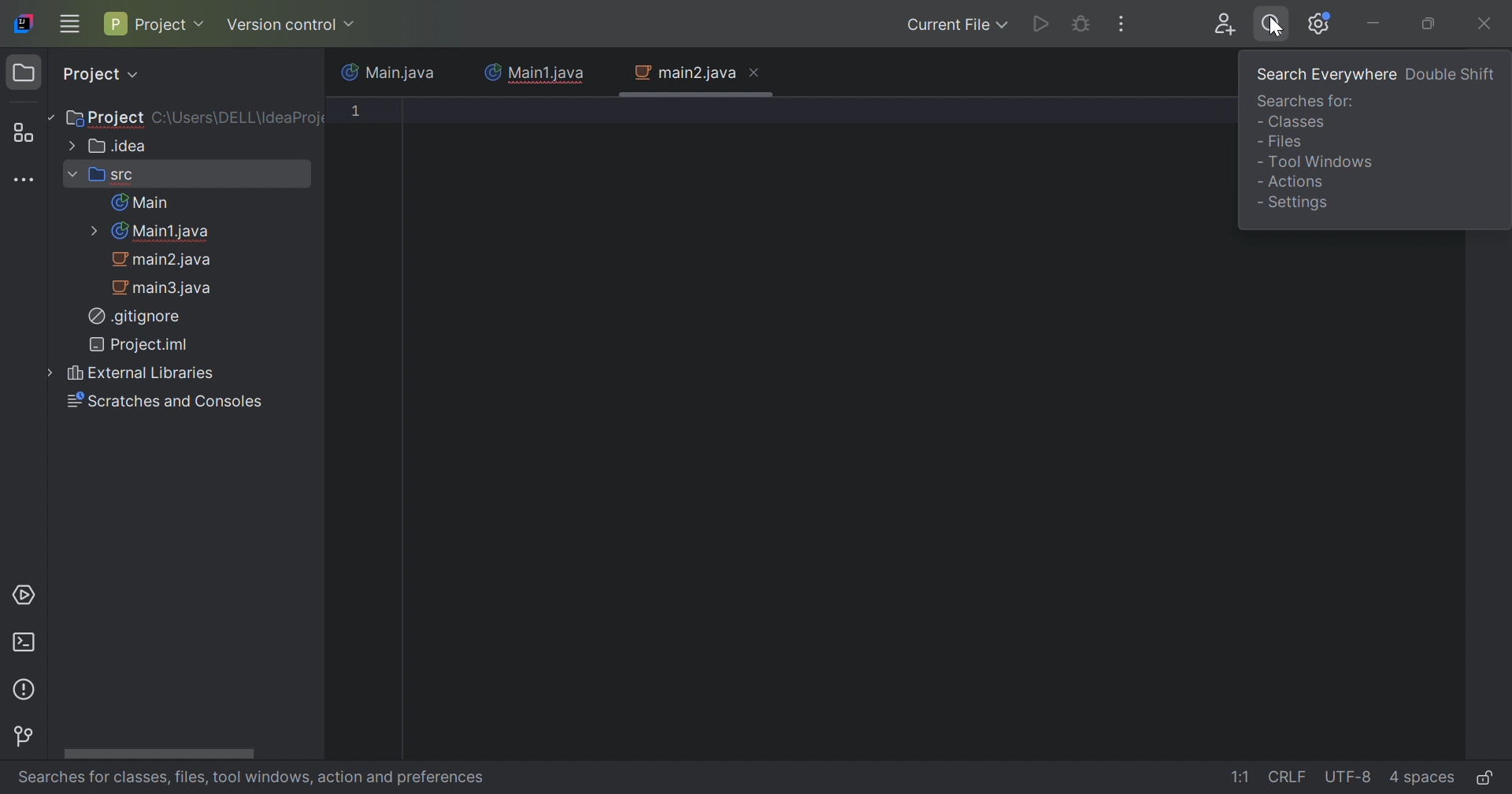 The height and width of the screenshot is (794, 1512). What do you see at coordinates (1294, 123) in the screenshot?
I see `- Classes` at bounding box center [1294, 123].